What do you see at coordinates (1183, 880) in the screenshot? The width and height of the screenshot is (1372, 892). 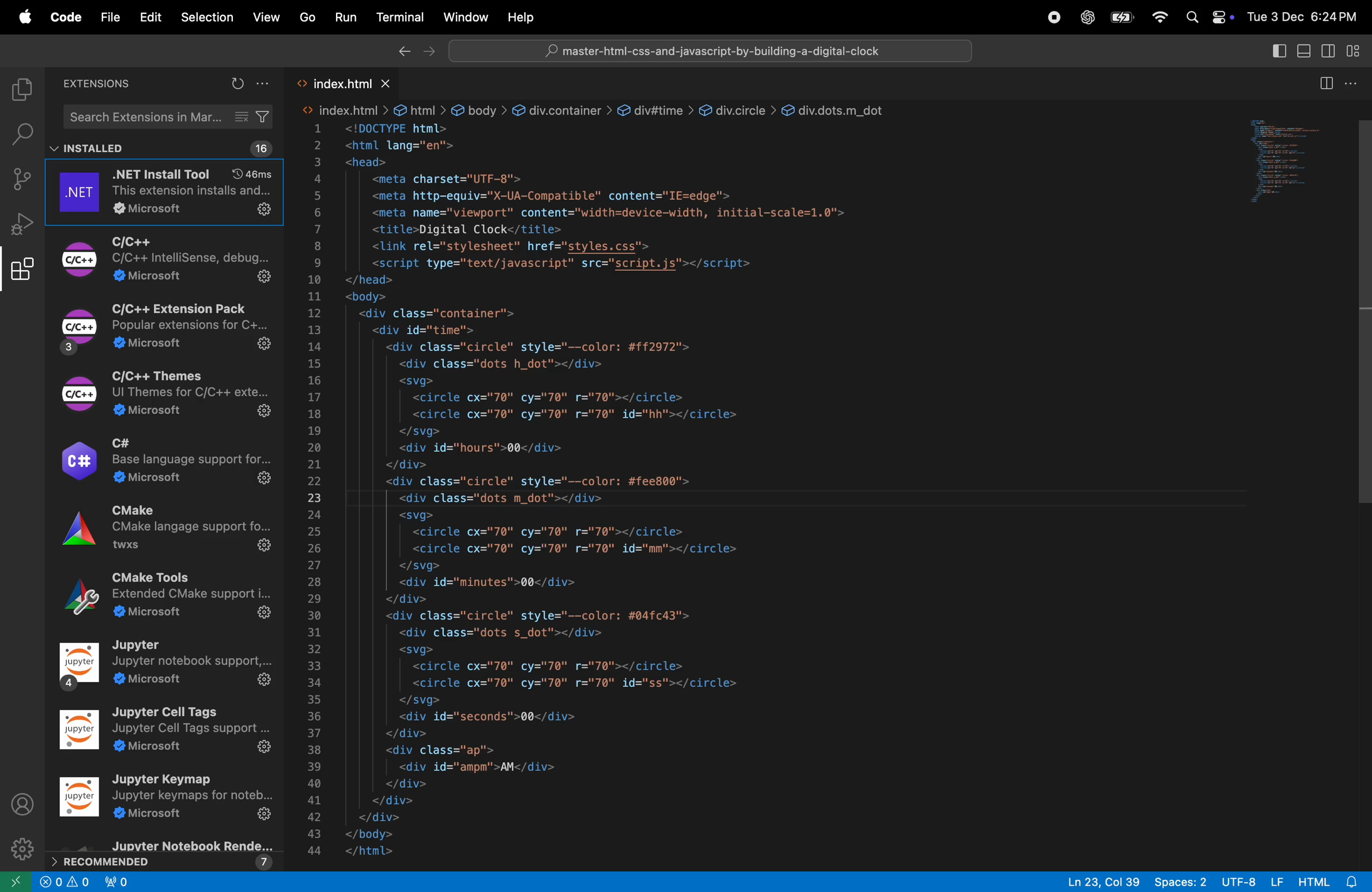 I see `spaces 2` at bounding box center [1183, 880].